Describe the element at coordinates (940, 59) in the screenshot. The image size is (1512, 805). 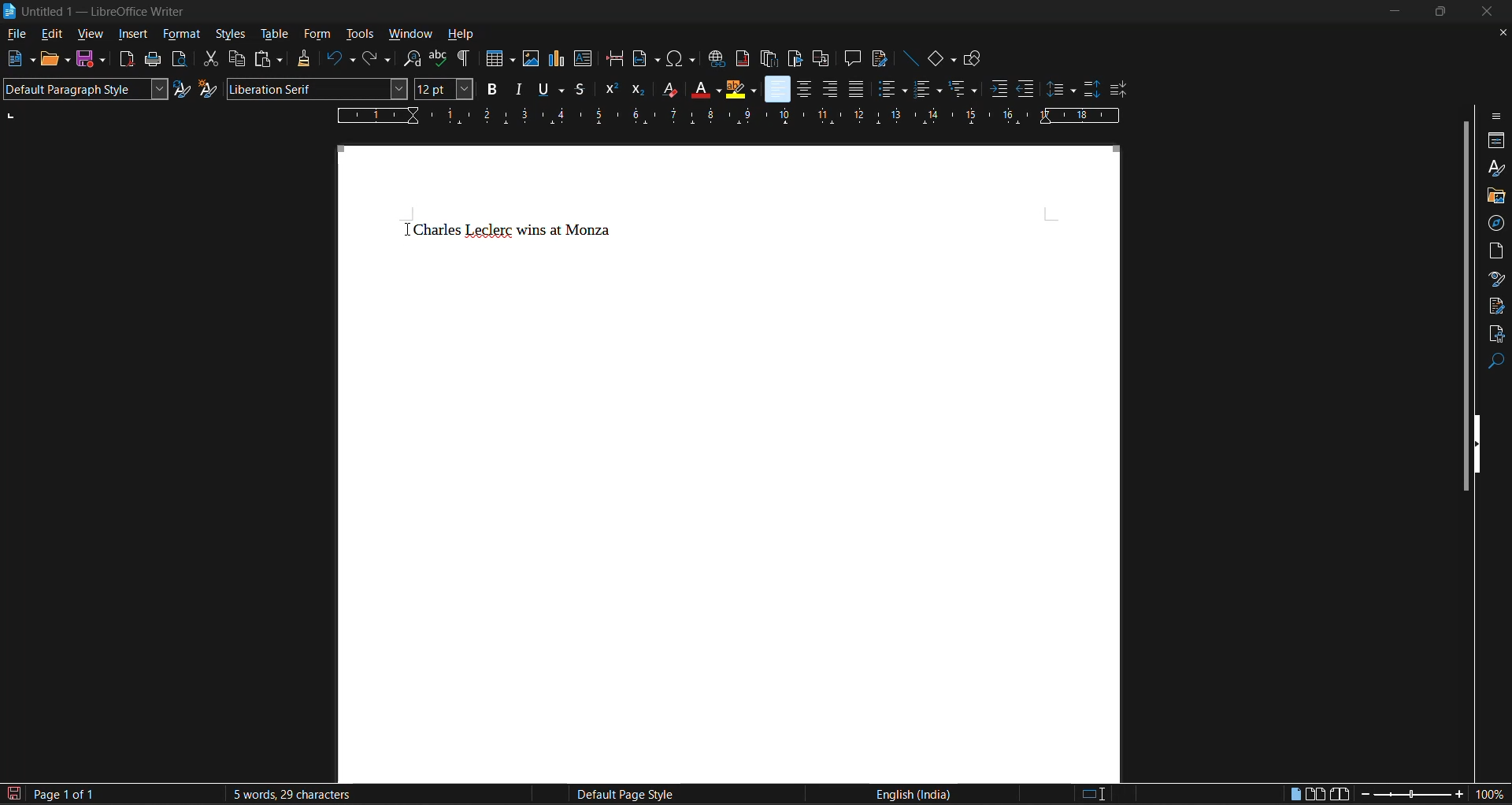
I see `basic shapes` at that location.